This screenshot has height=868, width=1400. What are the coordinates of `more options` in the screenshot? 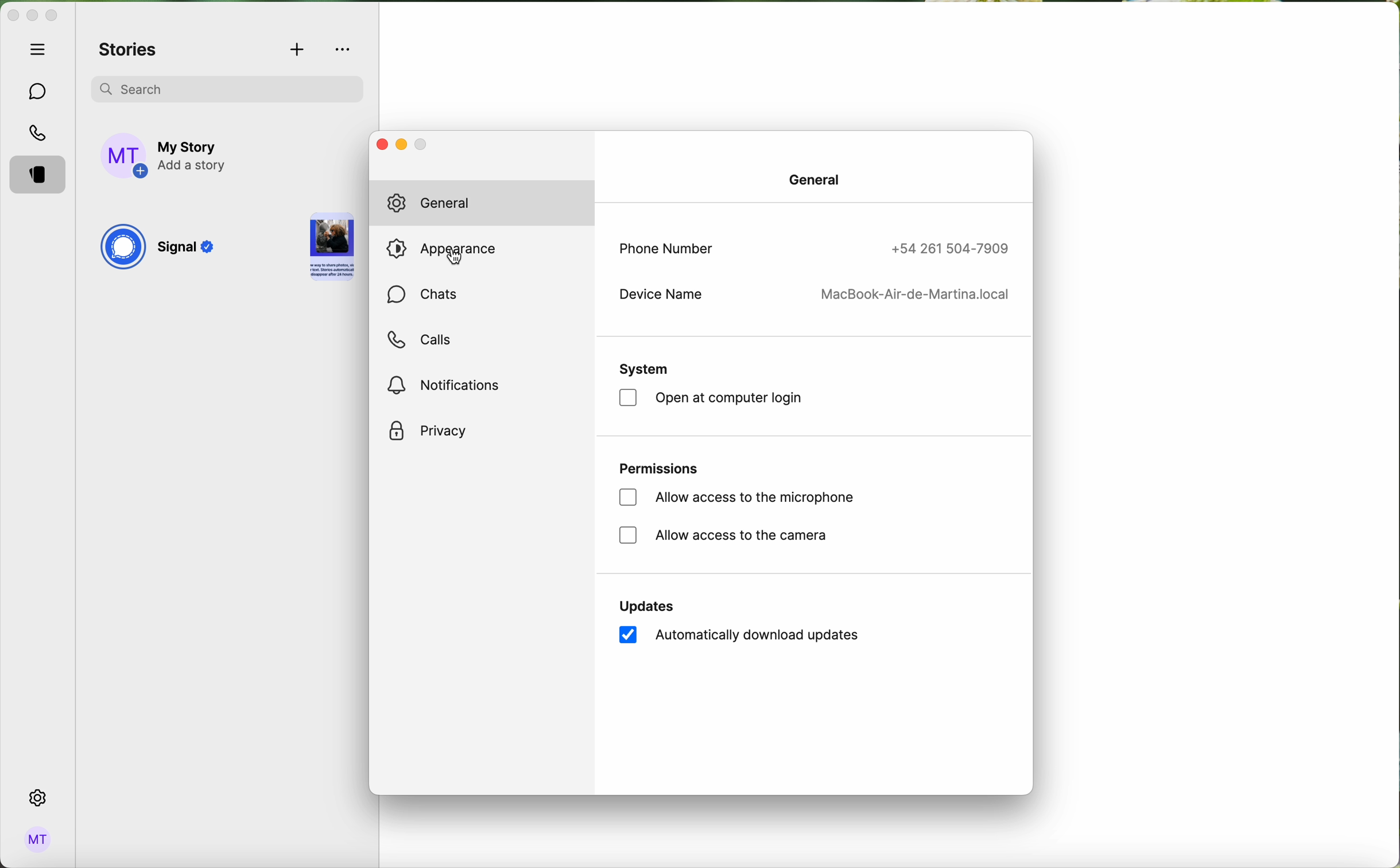 It's located at (344, 49).